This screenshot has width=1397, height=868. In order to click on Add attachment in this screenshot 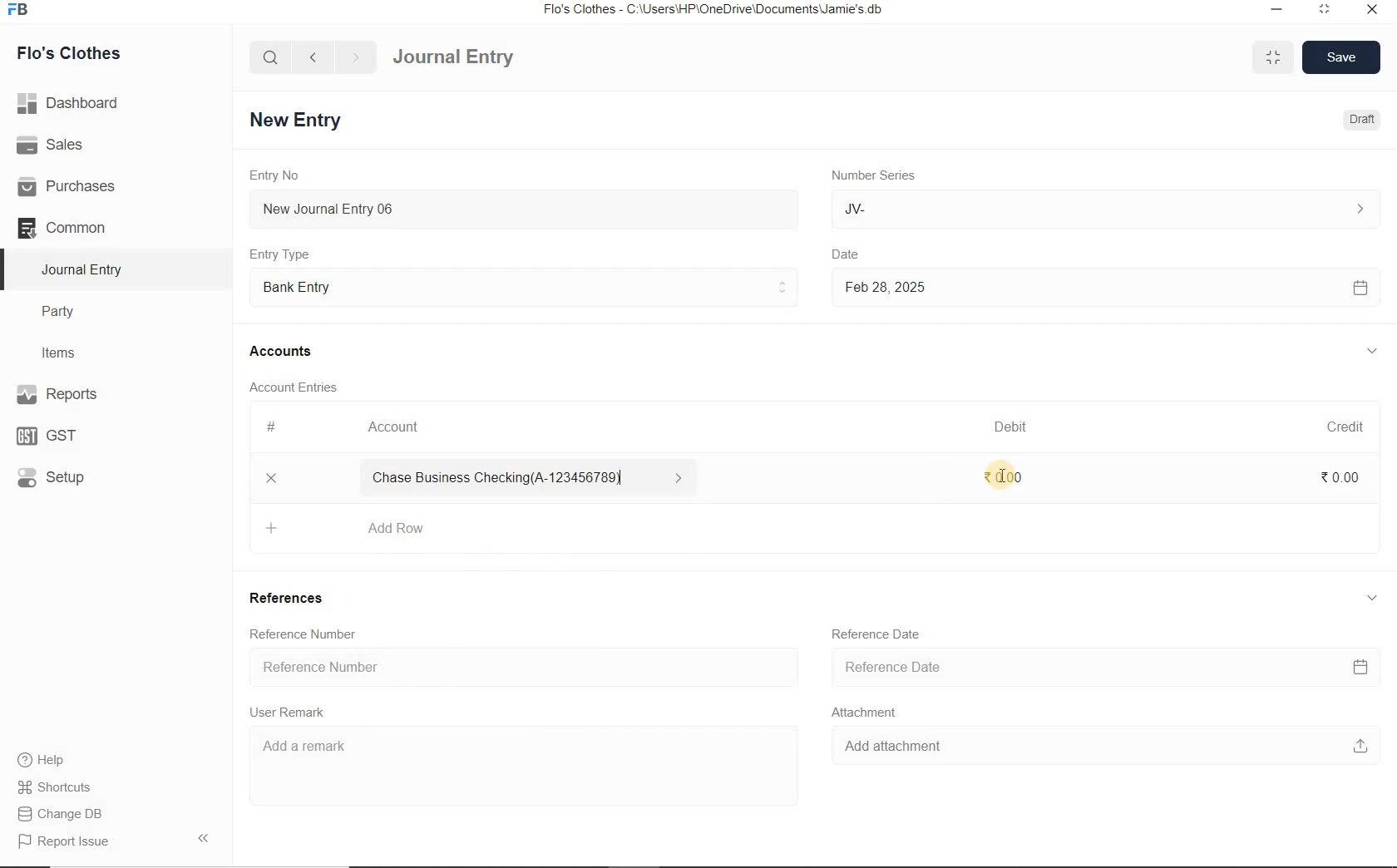, I will do `click(1098, 749)`.